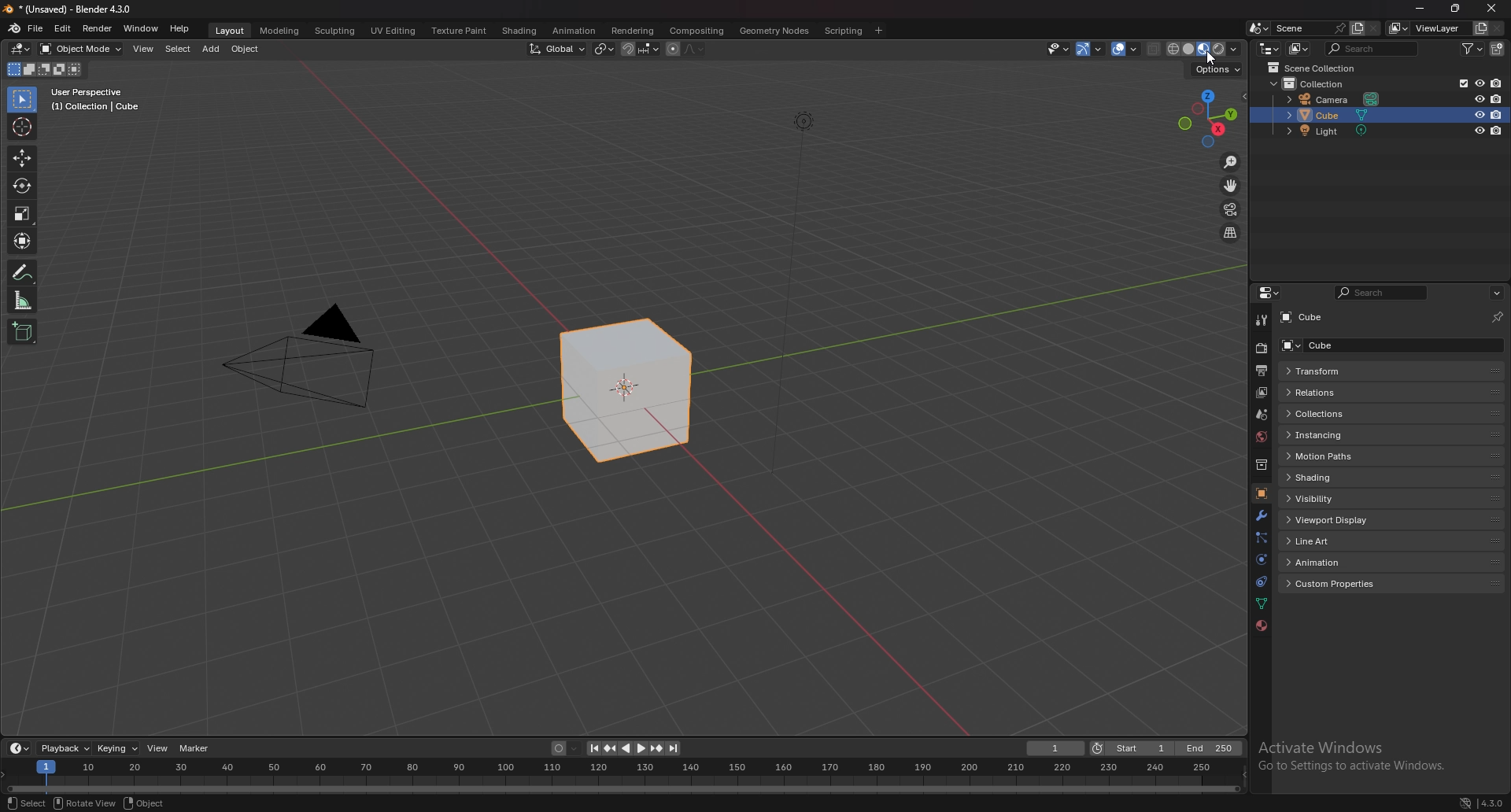  Describe the element at coordinates (1209, 120) in the screenshot. I see `use a preset viewpoint` at that location.